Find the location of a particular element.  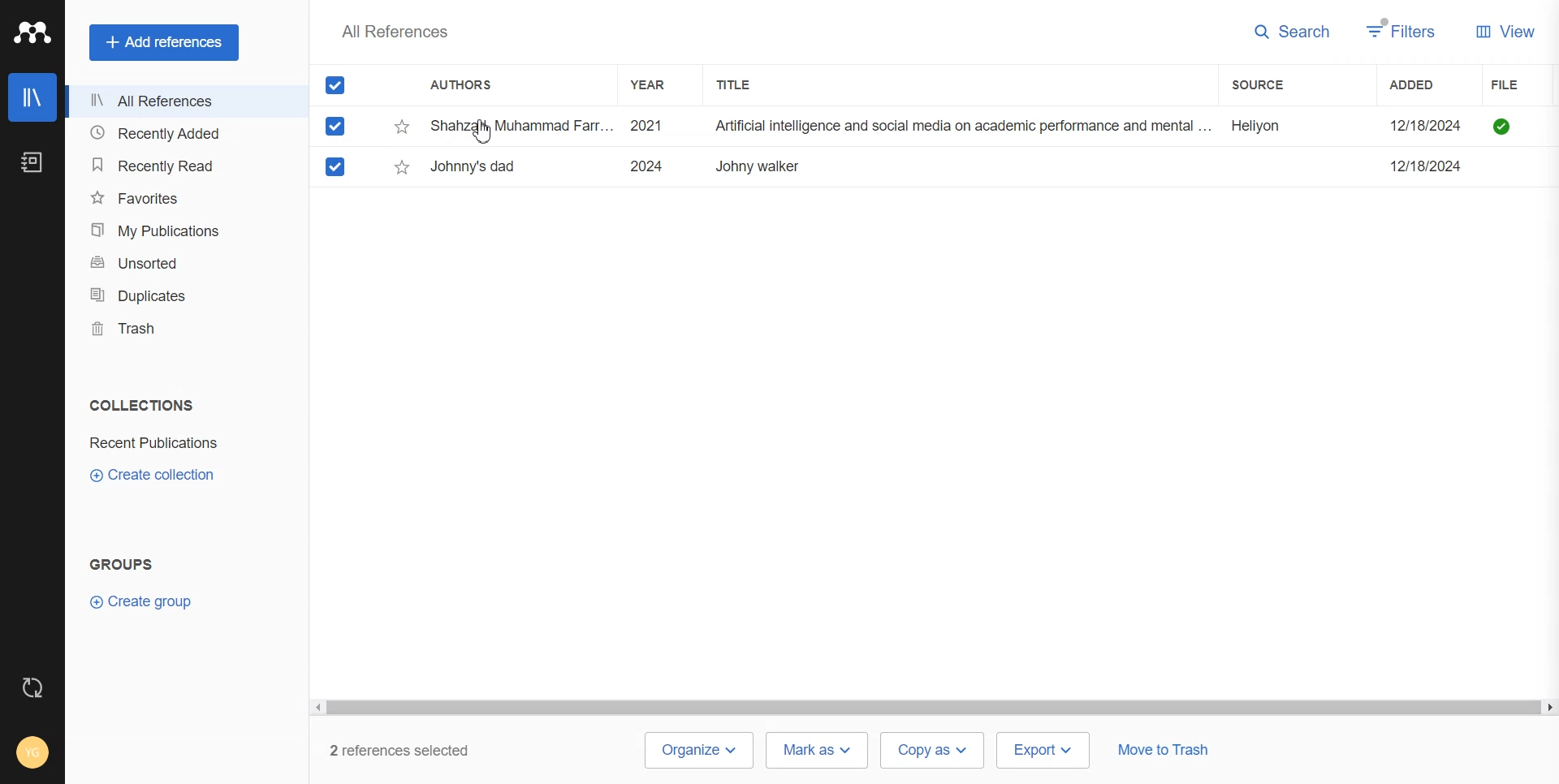

Shahzad, Muhammad Farr... 2021 Artificial intelligence and social media on academic performance and mental ...  Heliyon 12/18/2024 is located at coordinates (952, 127).